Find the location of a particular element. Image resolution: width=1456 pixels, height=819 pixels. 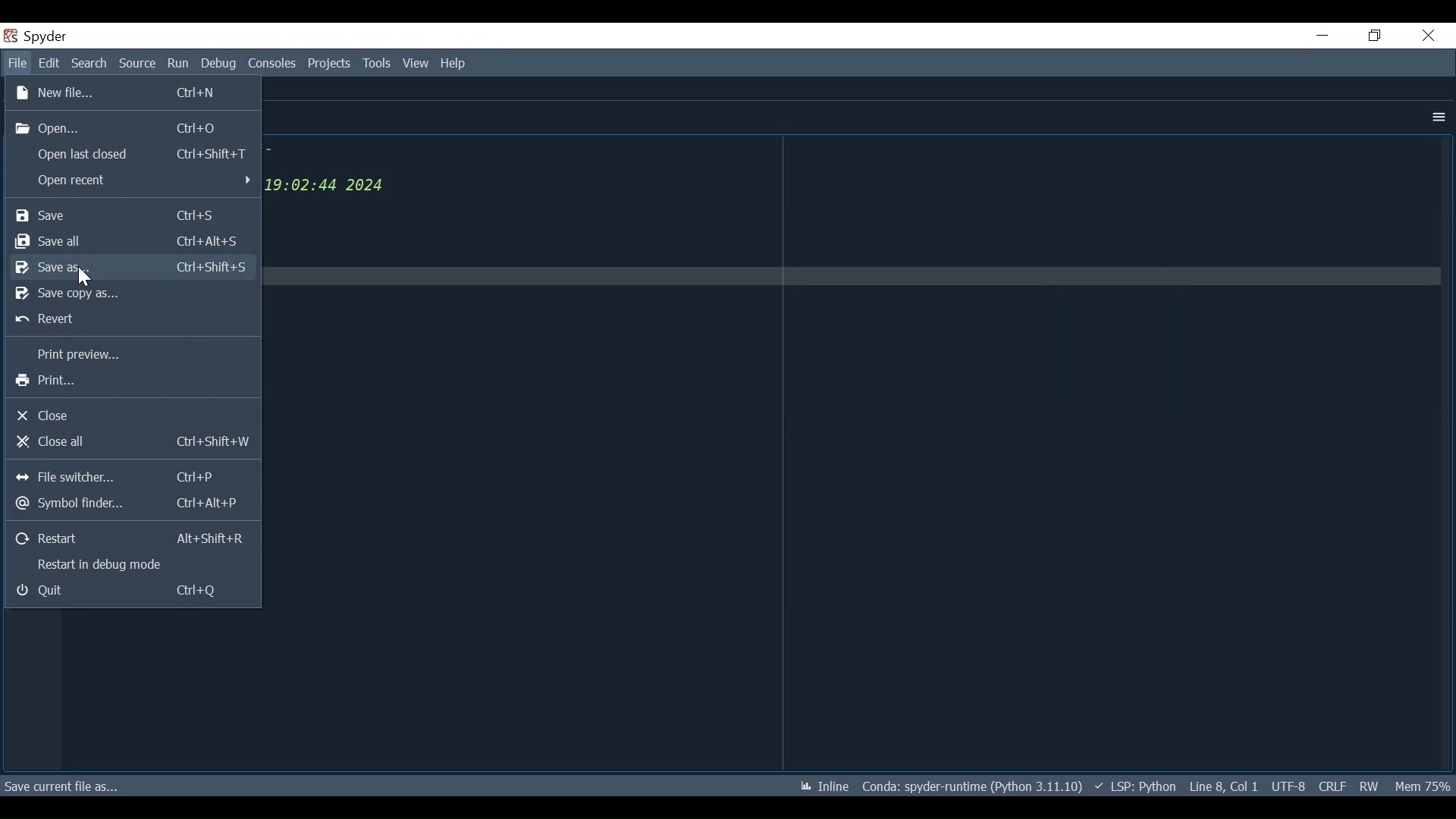

Run is located at coordinates (179, 64).